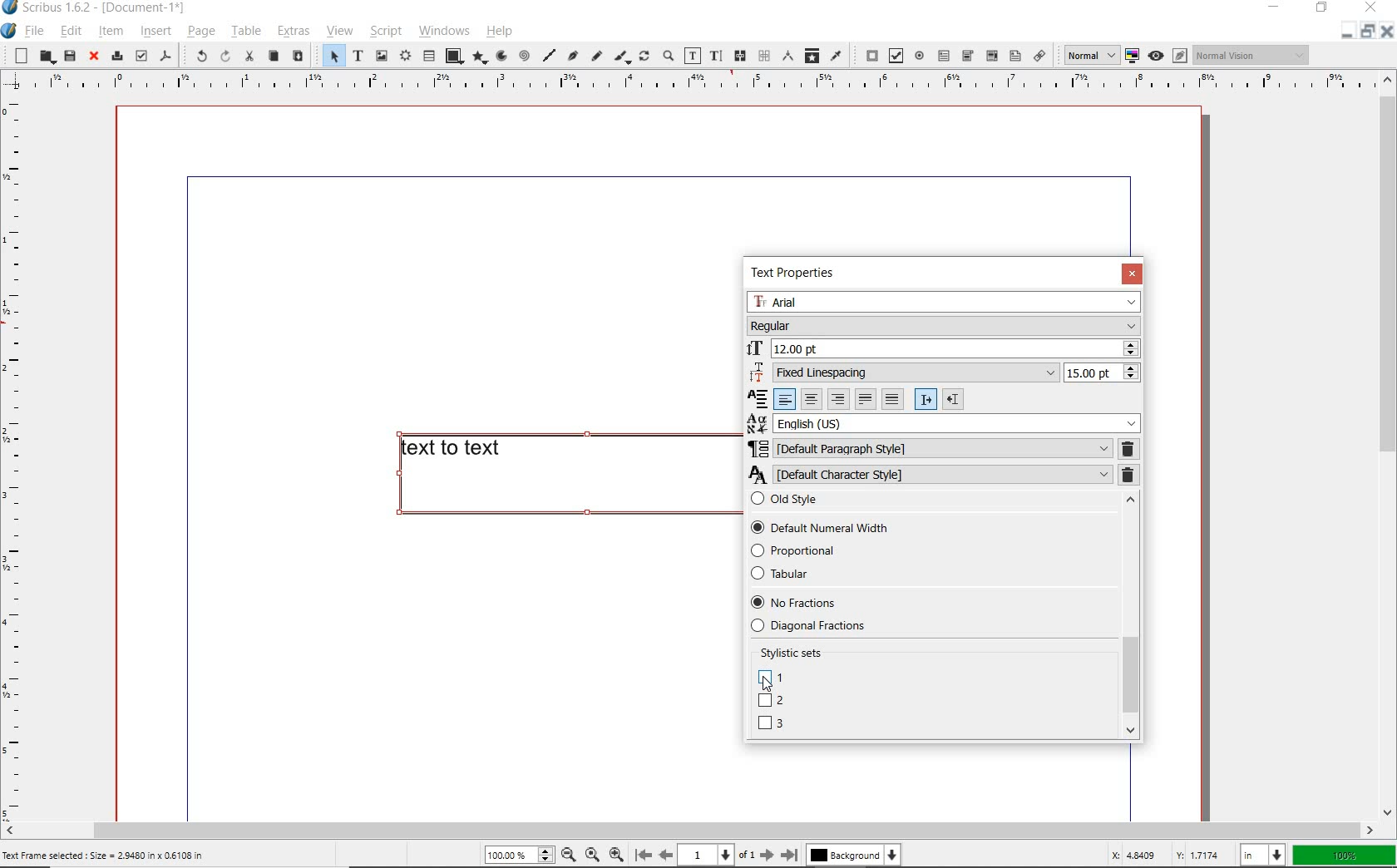 Image resolution: width=1397 pixels, height=868 pixels. What do you see at coordinates (990, 55) in the screenshot?
I see `pdf list box` at bounding box center [990, 55].